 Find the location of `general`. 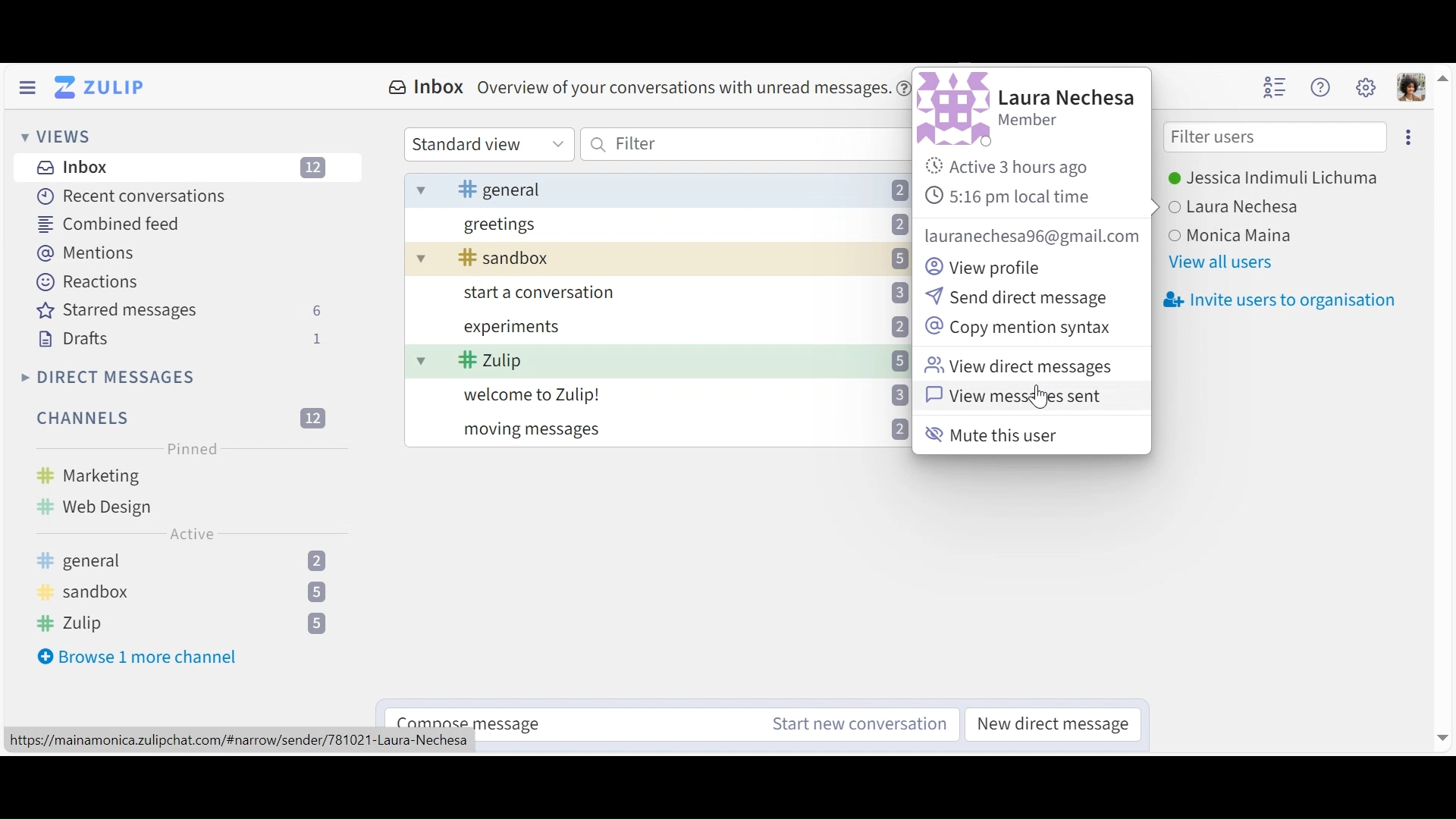

general is located at coordinates (184, 562).